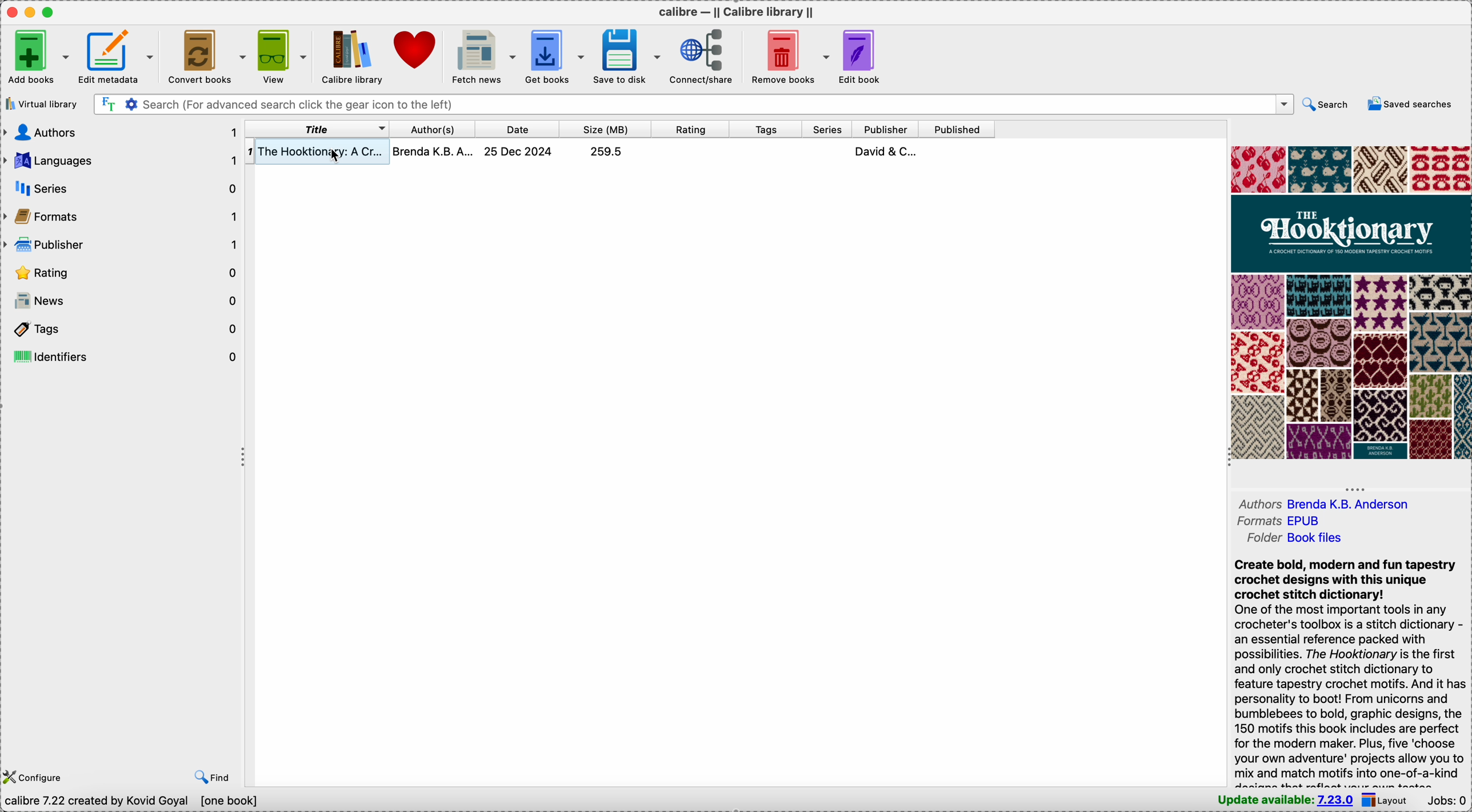 Image resolution: width=1472 pixels, height=812 pixels. What do you see at coordinates (958, 129) in the screenshot?
I see `published` at bounding box center [958, 129].